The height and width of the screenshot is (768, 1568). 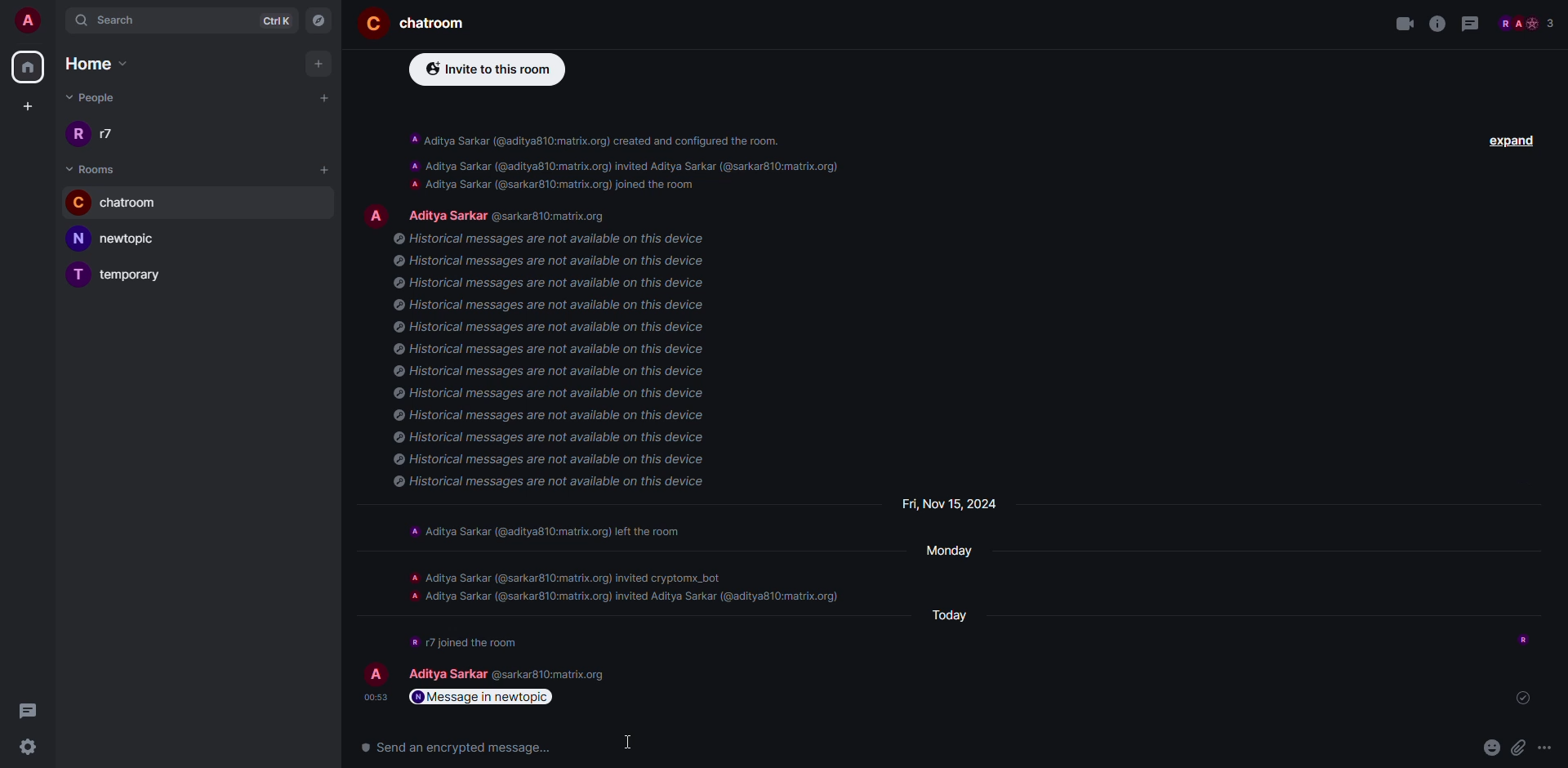 I want to click on new topic, so click(x=121, y=238).